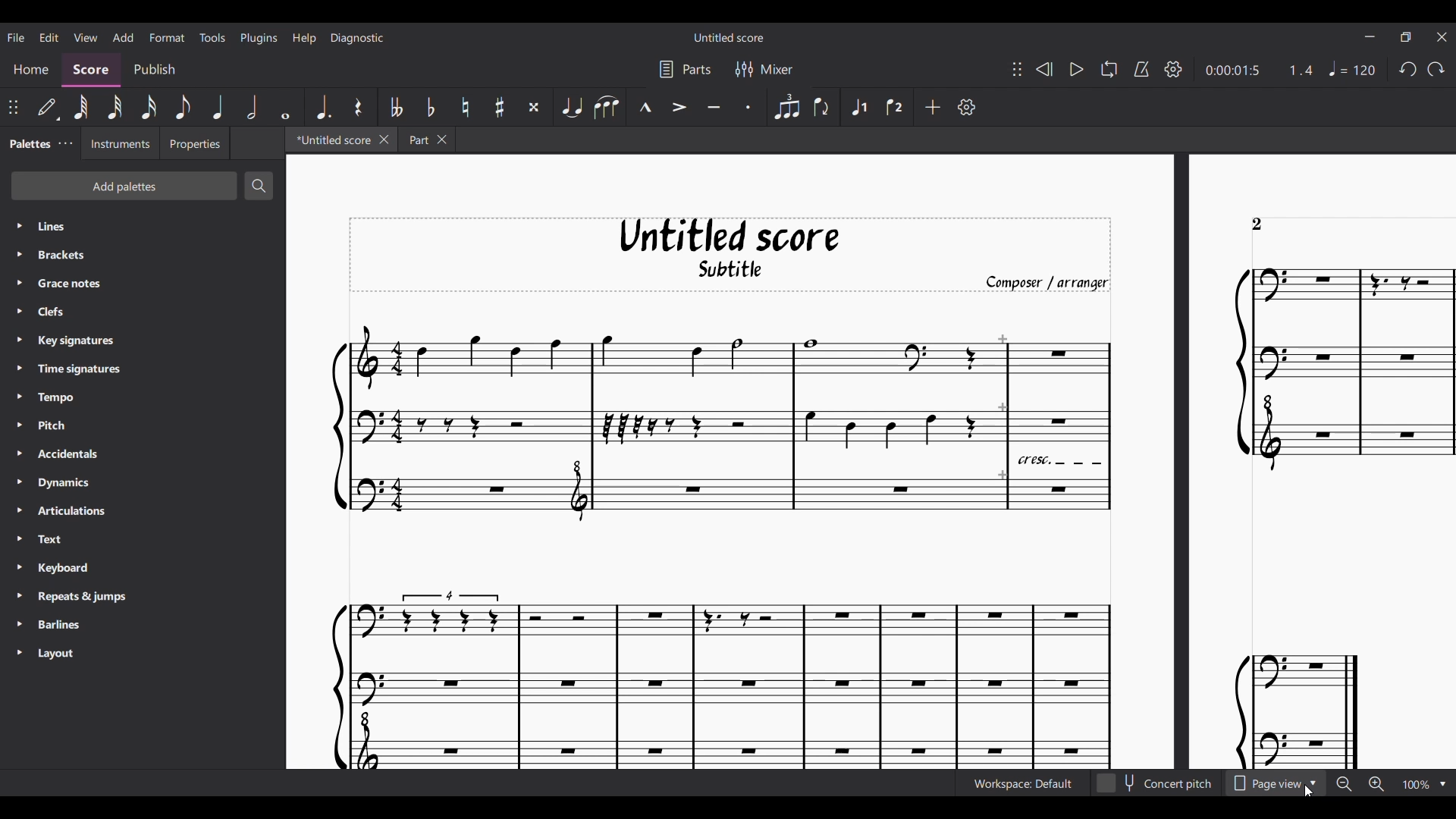  Describe the element at coordinates (119, 143) in the screenshot. I see `Instruments setting tab` at that location.